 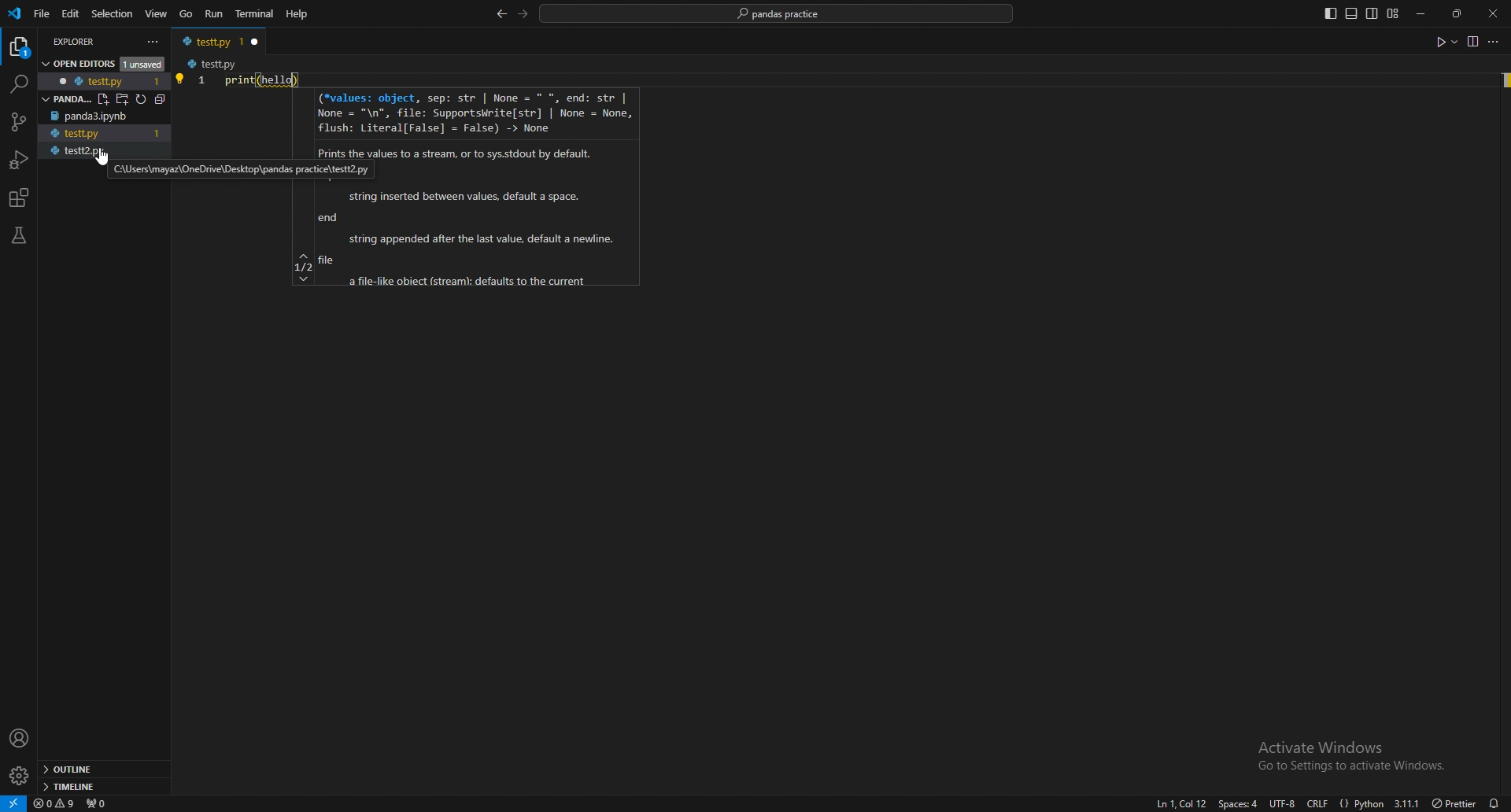 I want to click on warnings, so click(x=55, y=803).